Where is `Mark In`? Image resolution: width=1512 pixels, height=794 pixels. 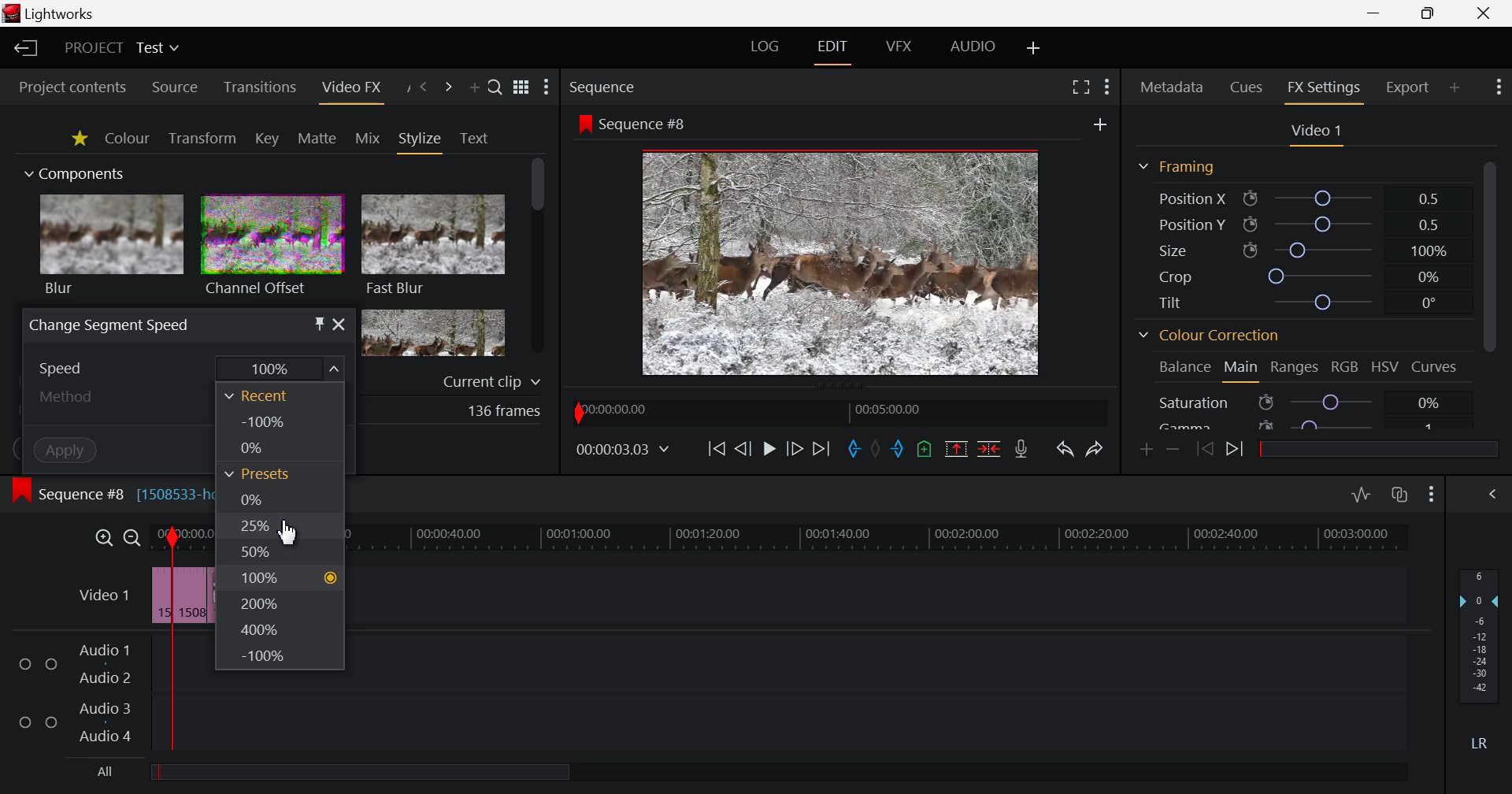
Mark In is located at coordinates (855, 449).